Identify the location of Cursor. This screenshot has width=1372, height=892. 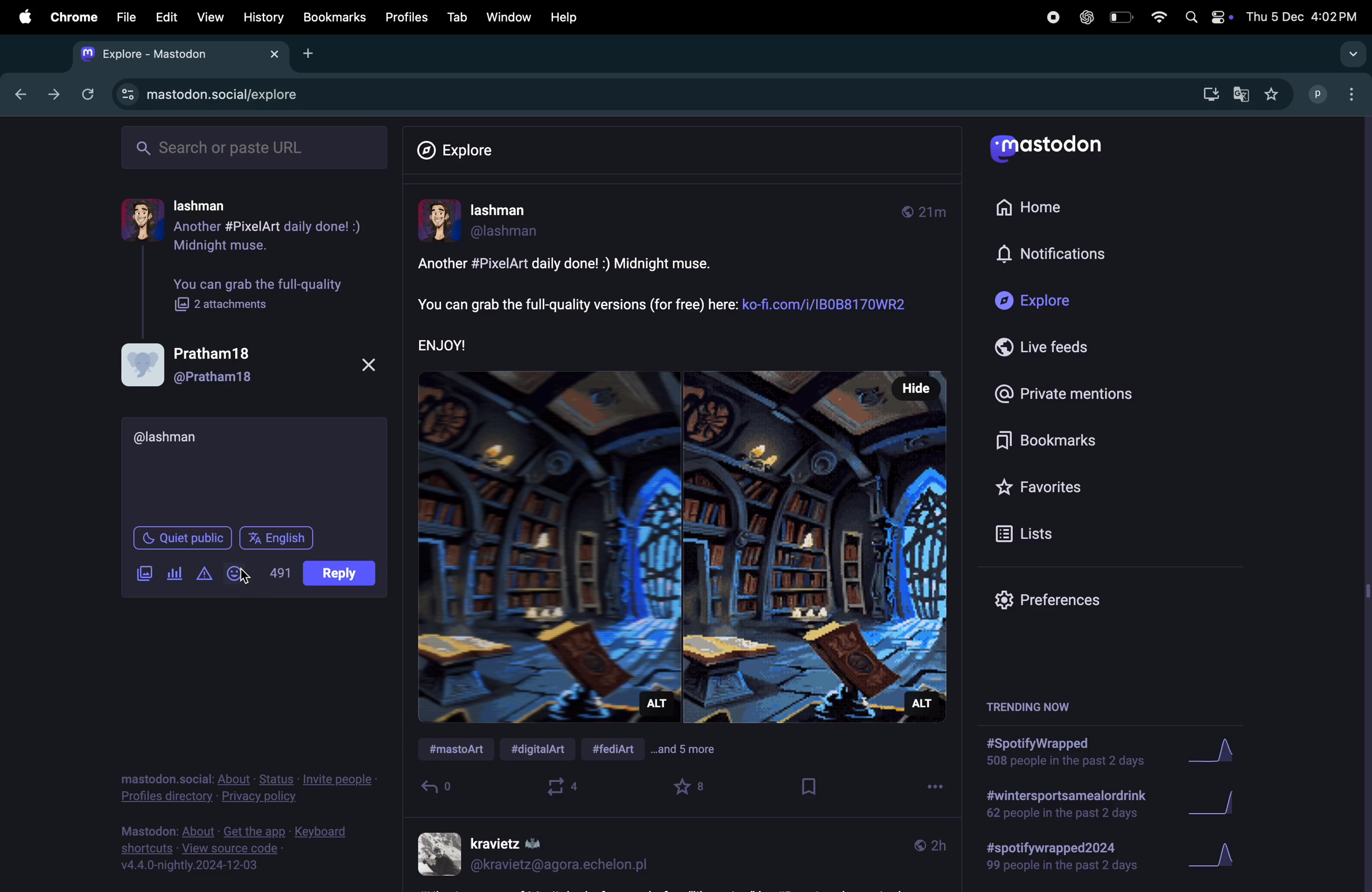
(242, 579).